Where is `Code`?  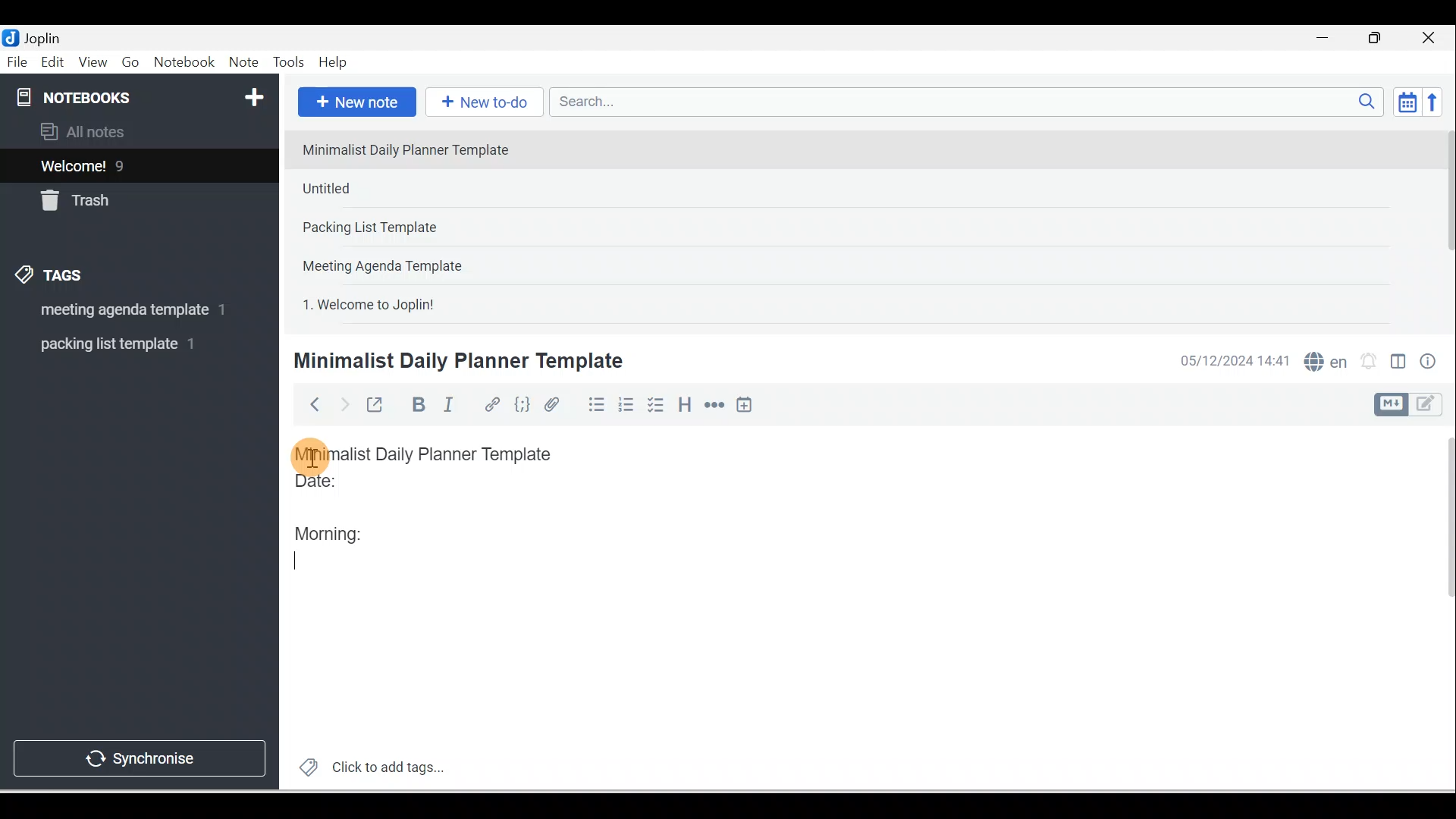 Code is located at coordinates (522, 406).